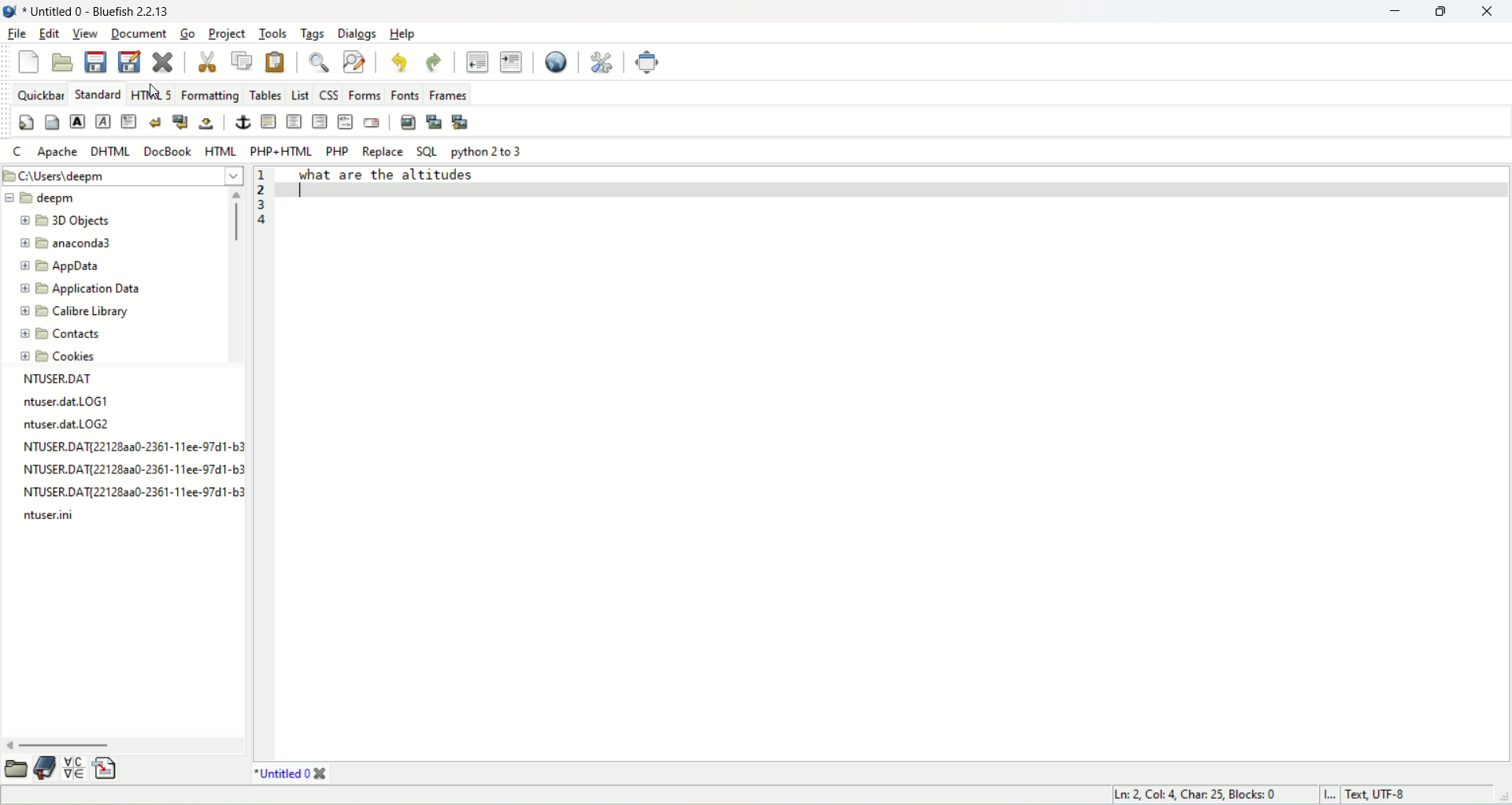 This screenshot has width=1512, height=805. What do you see at coordinates (406, 33) in the screenshot?
I see `help` at bounding box center [406, 33].